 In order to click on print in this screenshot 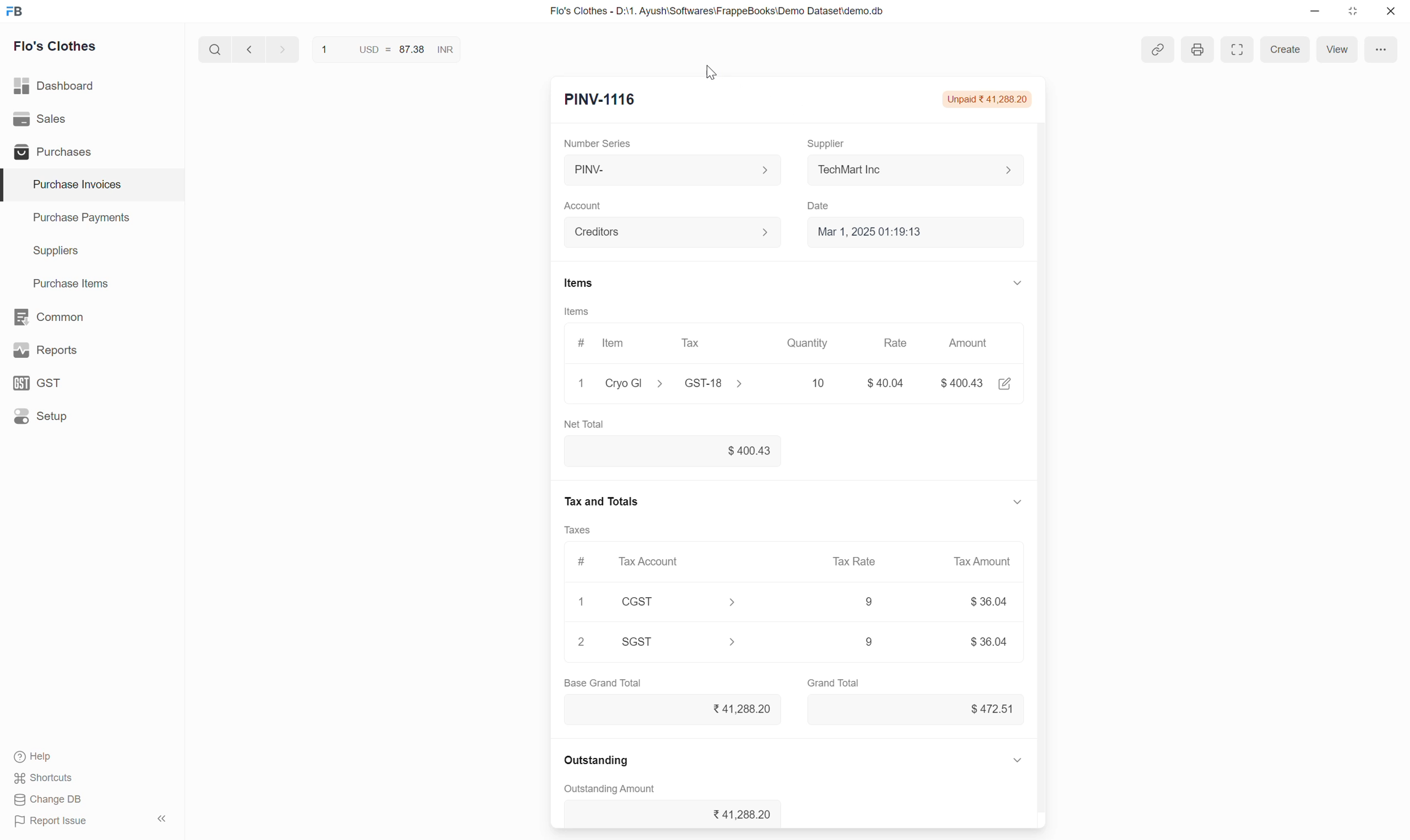, I will do `click(1198, 48)`.